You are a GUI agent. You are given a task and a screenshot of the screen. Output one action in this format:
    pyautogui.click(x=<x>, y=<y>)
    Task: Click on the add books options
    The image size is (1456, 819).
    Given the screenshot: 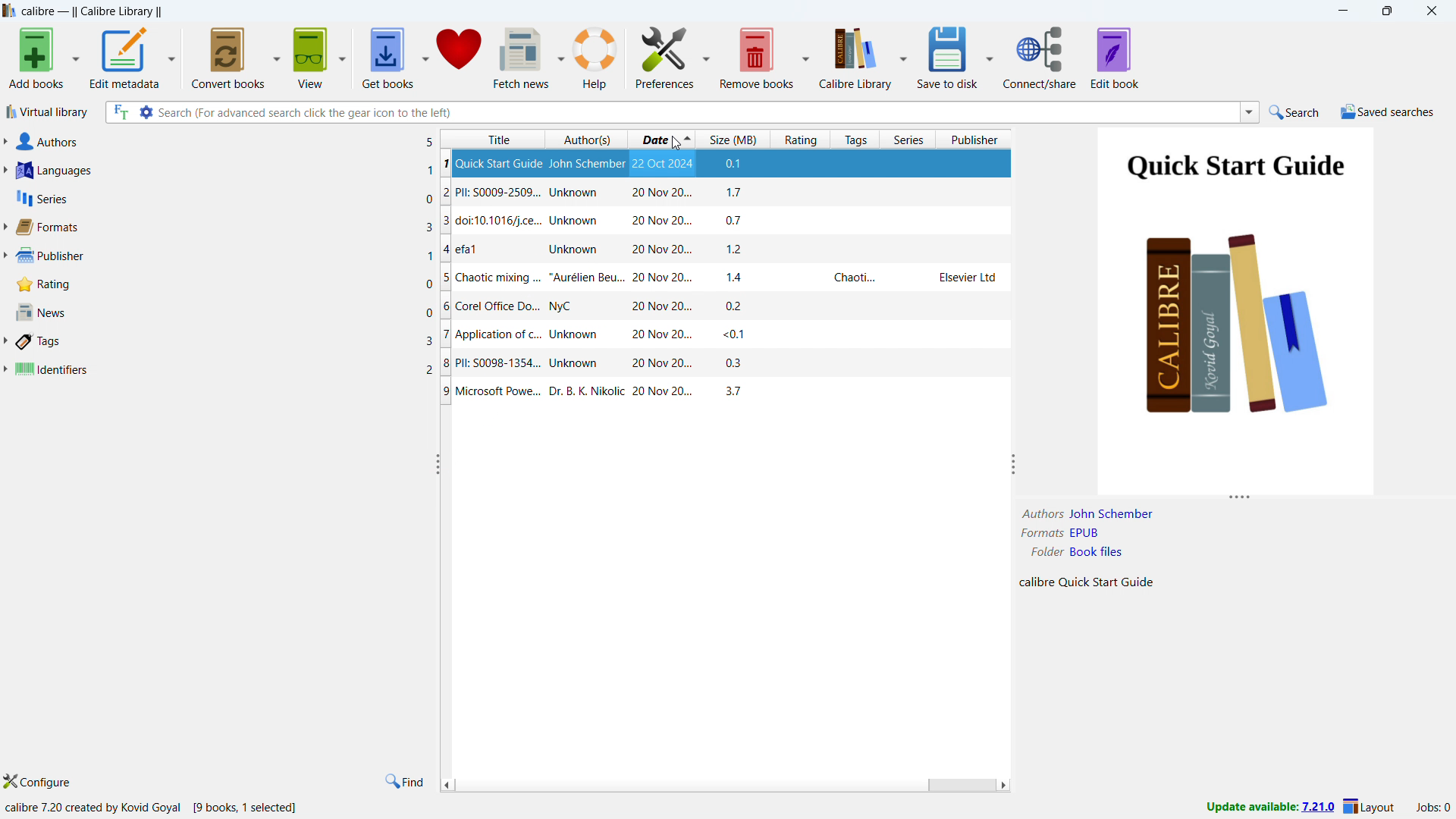 What is the action you would take?
    pyautogui.click(x=76, y=57)
    